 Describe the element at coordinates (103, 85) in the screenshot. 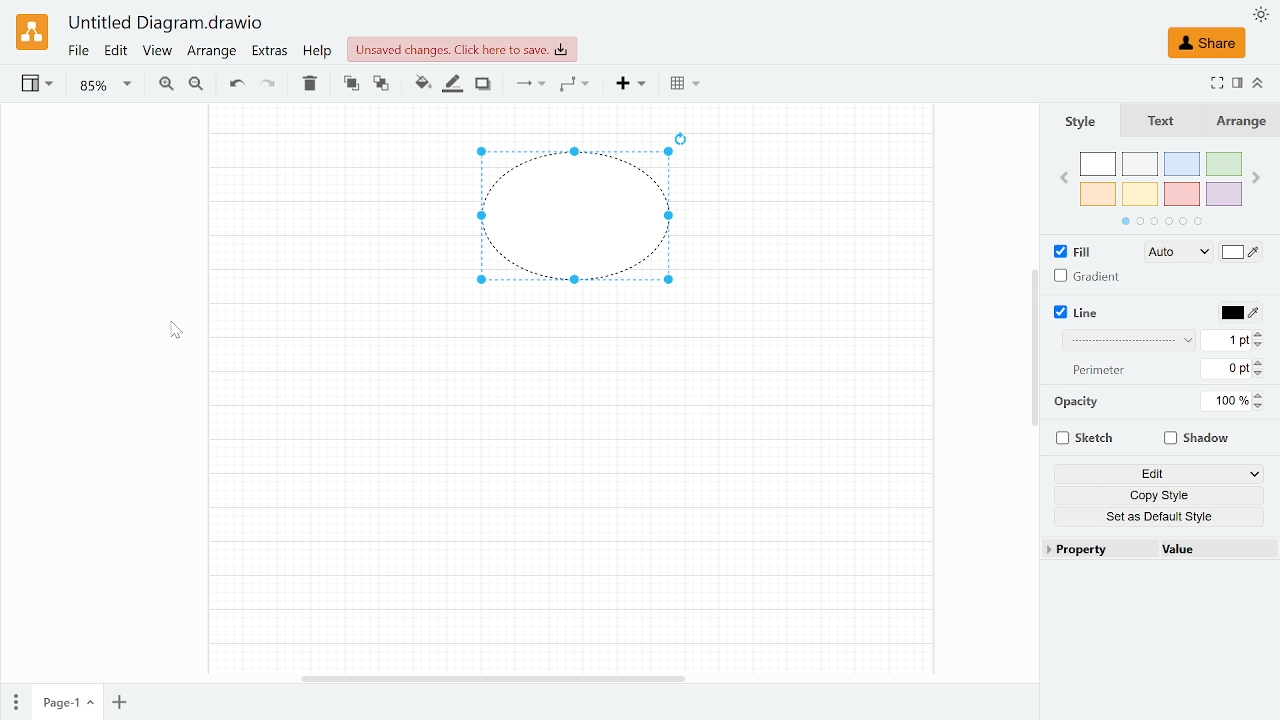

I see `Zoom` at that location.